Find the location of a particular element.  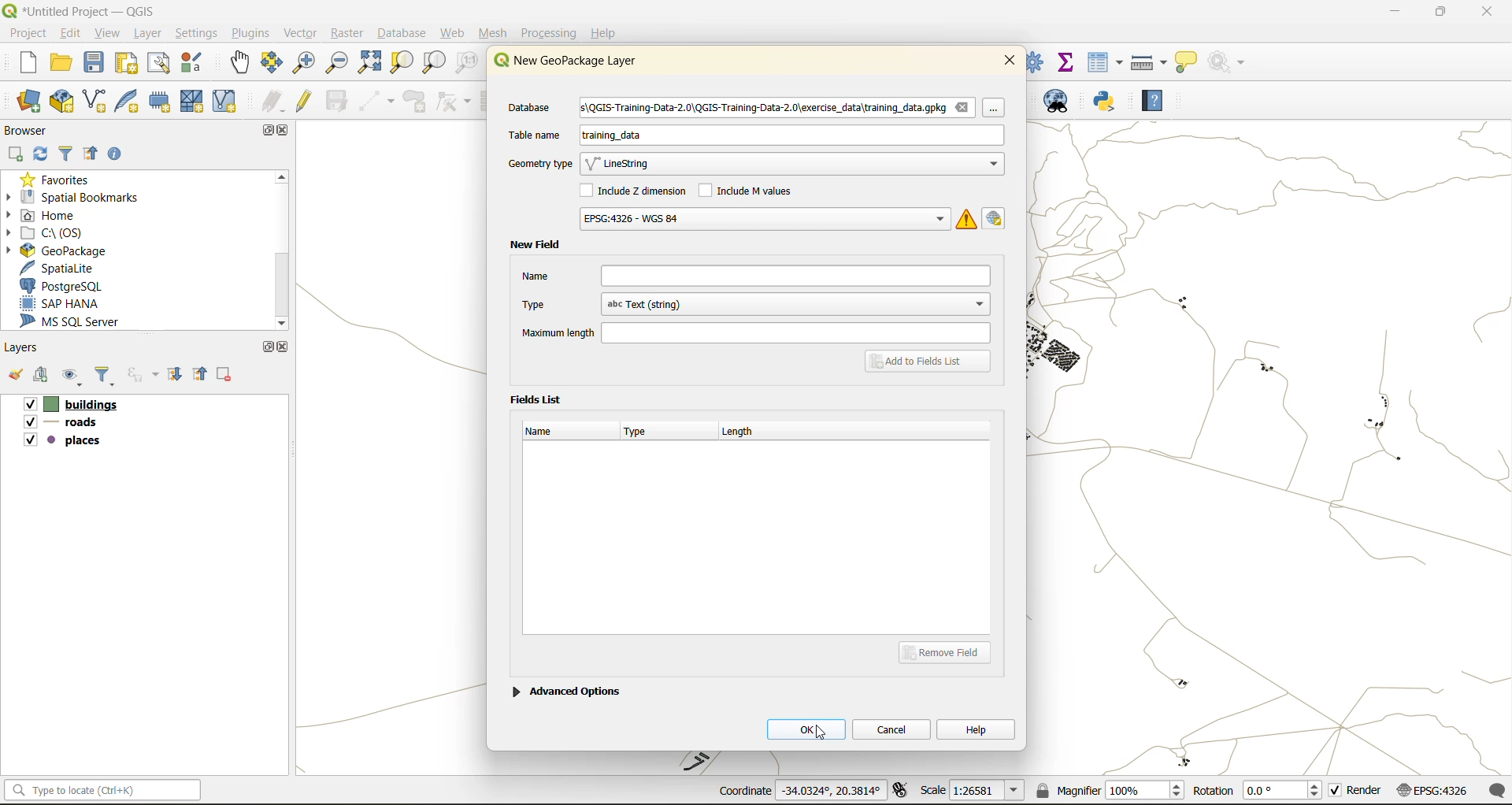

buildings is located at coordinates (69, 406).